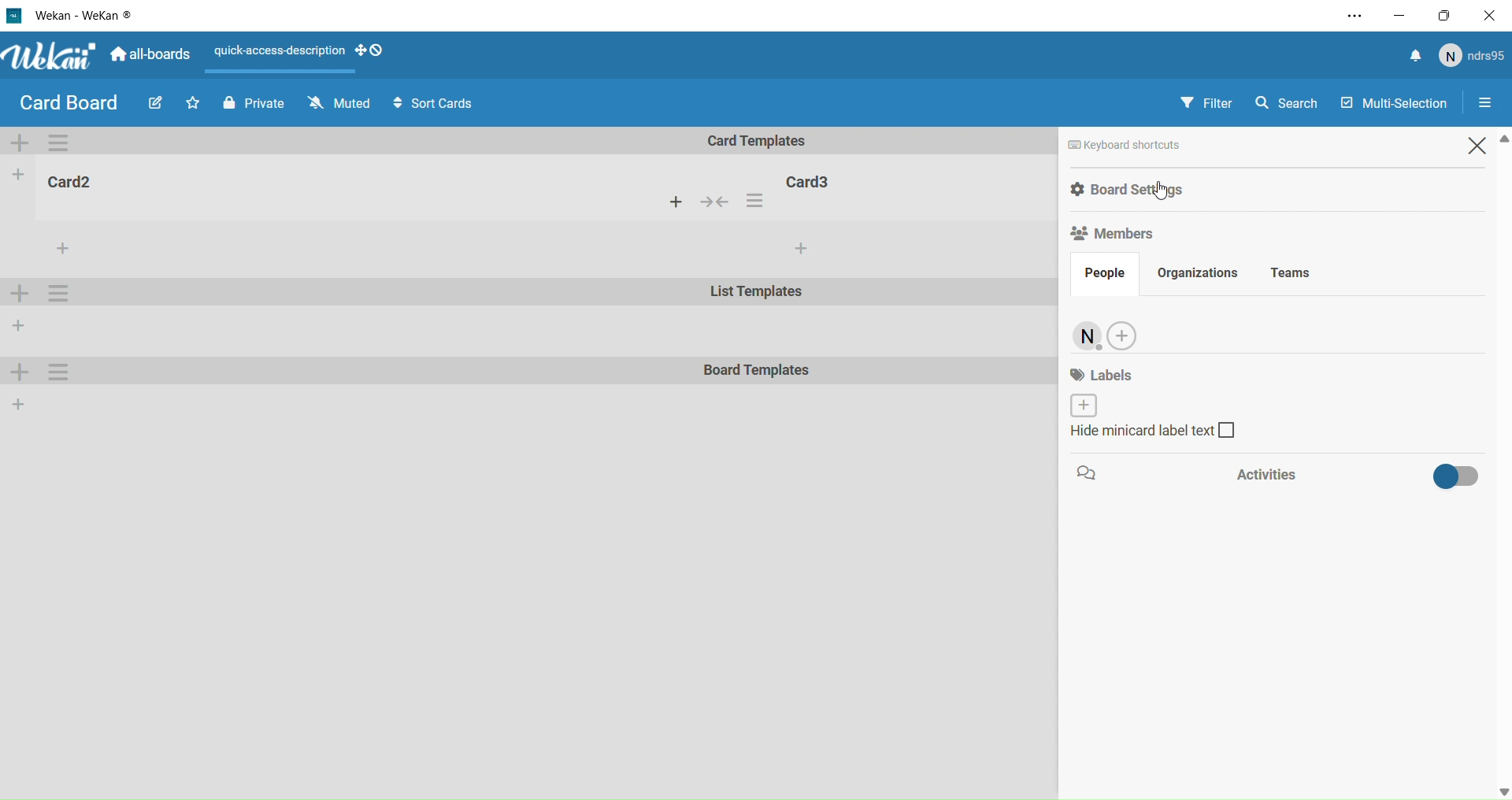 The image size is (1512, 800). I want to click on Actions, so click(724, 203).